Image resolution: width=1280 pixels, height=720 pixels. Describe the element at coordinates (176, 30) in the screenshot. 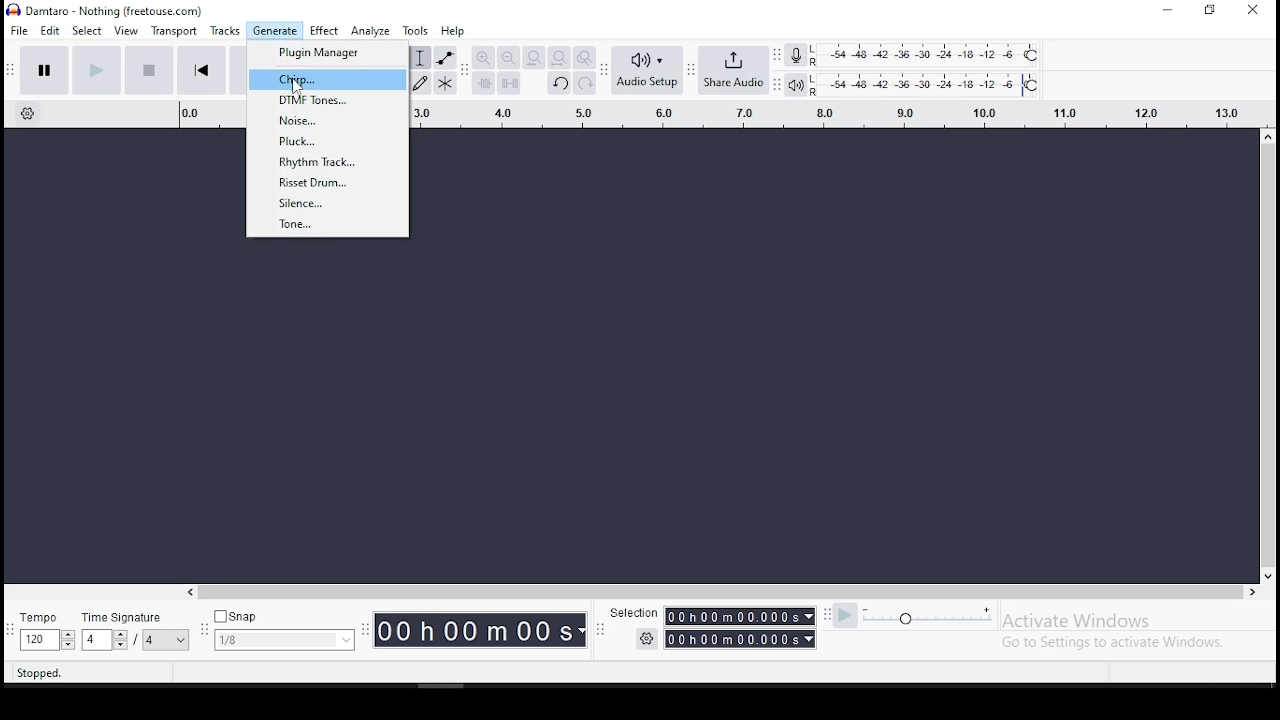

I see `transport` at that location.